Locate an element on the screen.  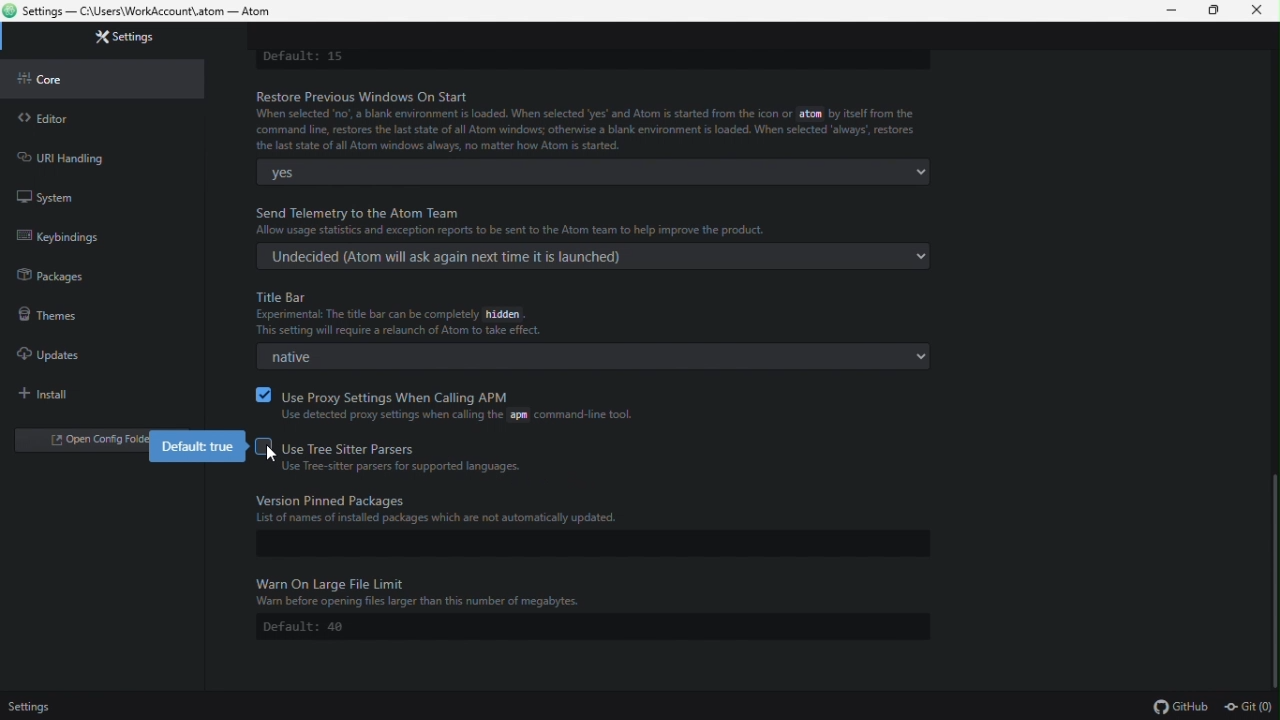
open folder is located at coordinates (88, 443).